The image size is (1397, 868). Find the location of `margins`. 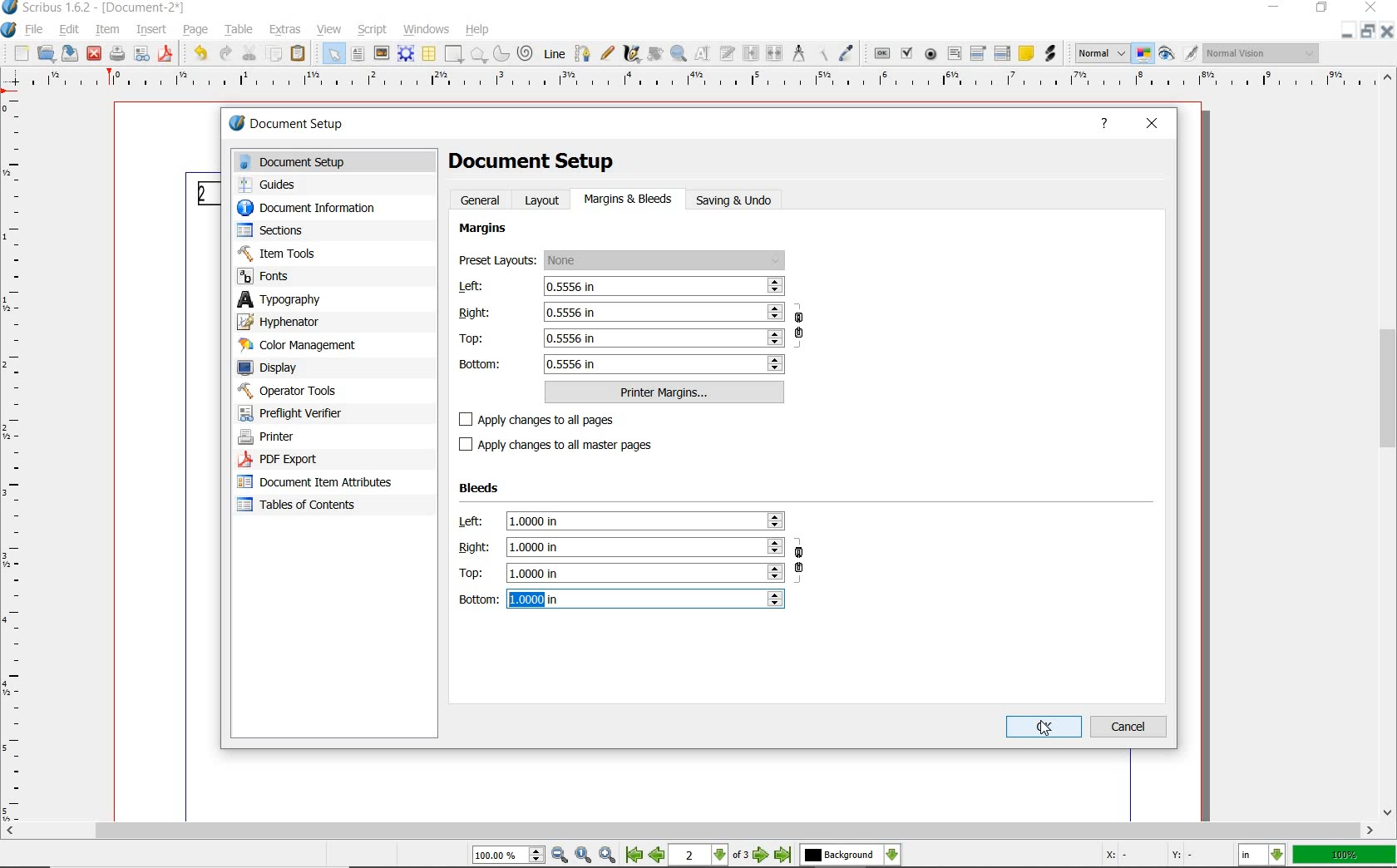

margins is located at coordinates (486, 229).